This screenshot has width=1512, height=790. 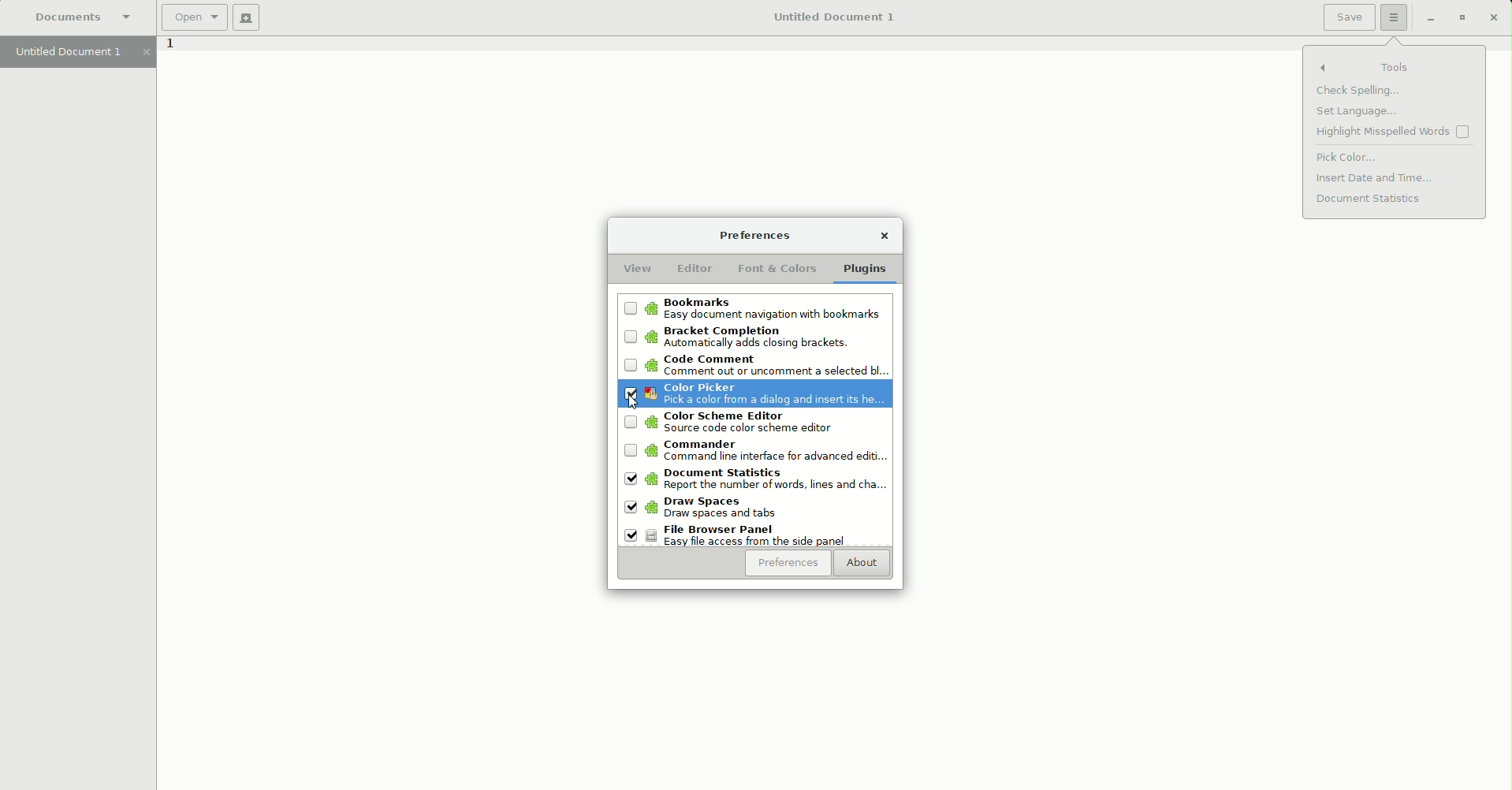 What do you see at coordinates (780, 270) in the screenshot?
I see `Font and Colors` at bounding box center [780, 270].